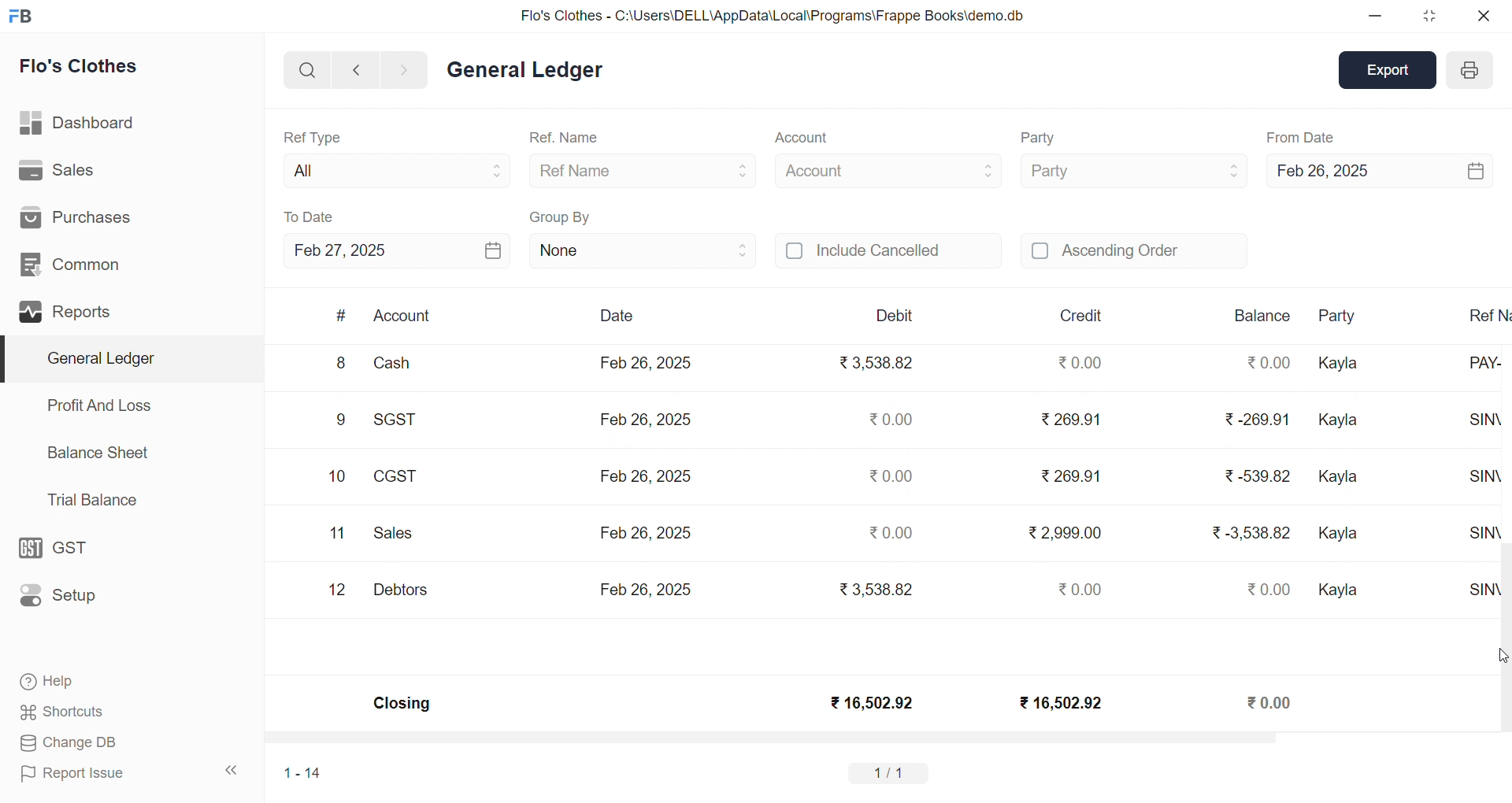 The width and height of the screenshot is (1512, 803). What do you see at coordinates (1347, 316) in the screenshot?
I see `Party` at bounding box center [1347, 316].